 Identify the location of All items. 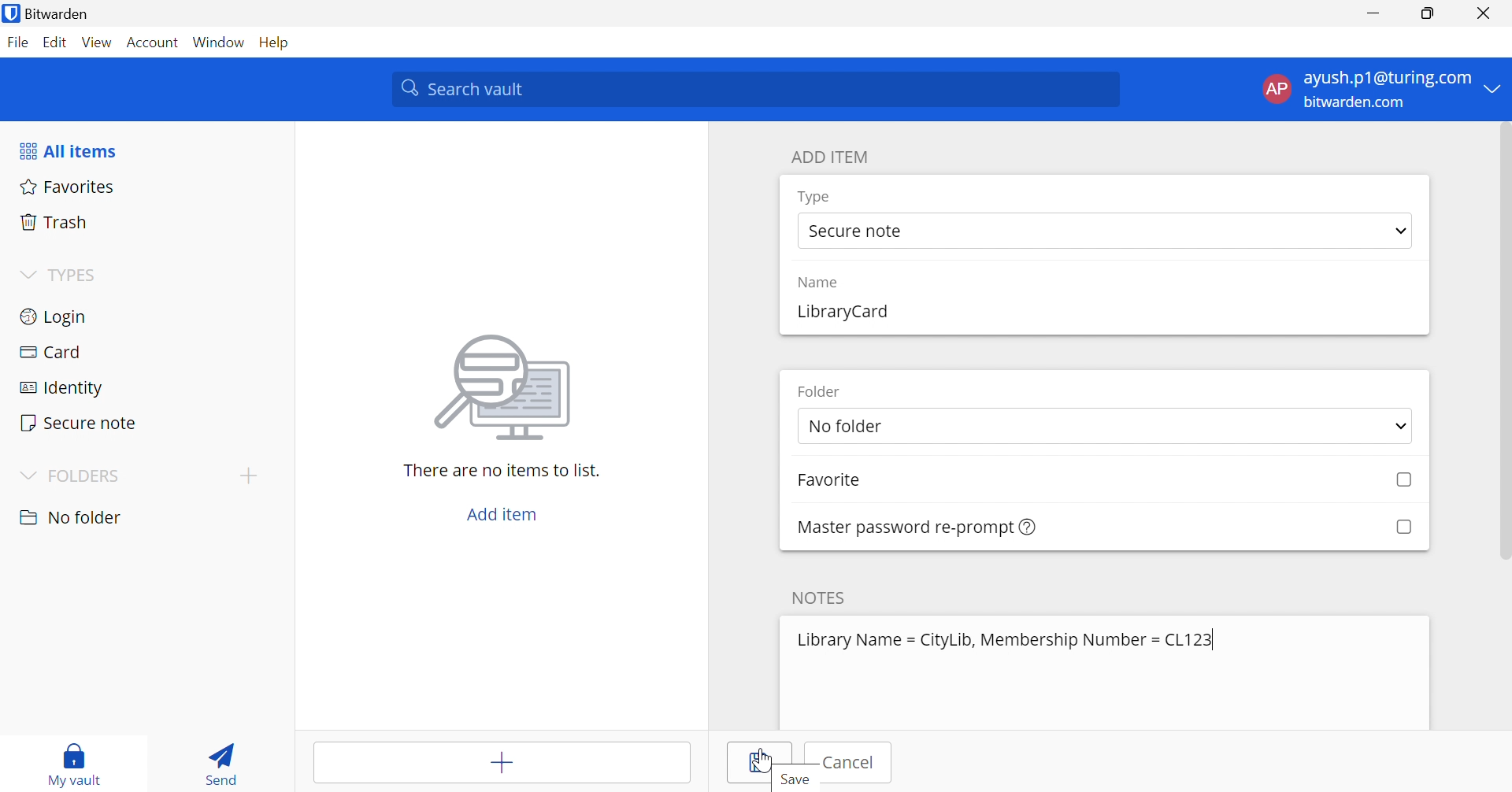
(67, 149).